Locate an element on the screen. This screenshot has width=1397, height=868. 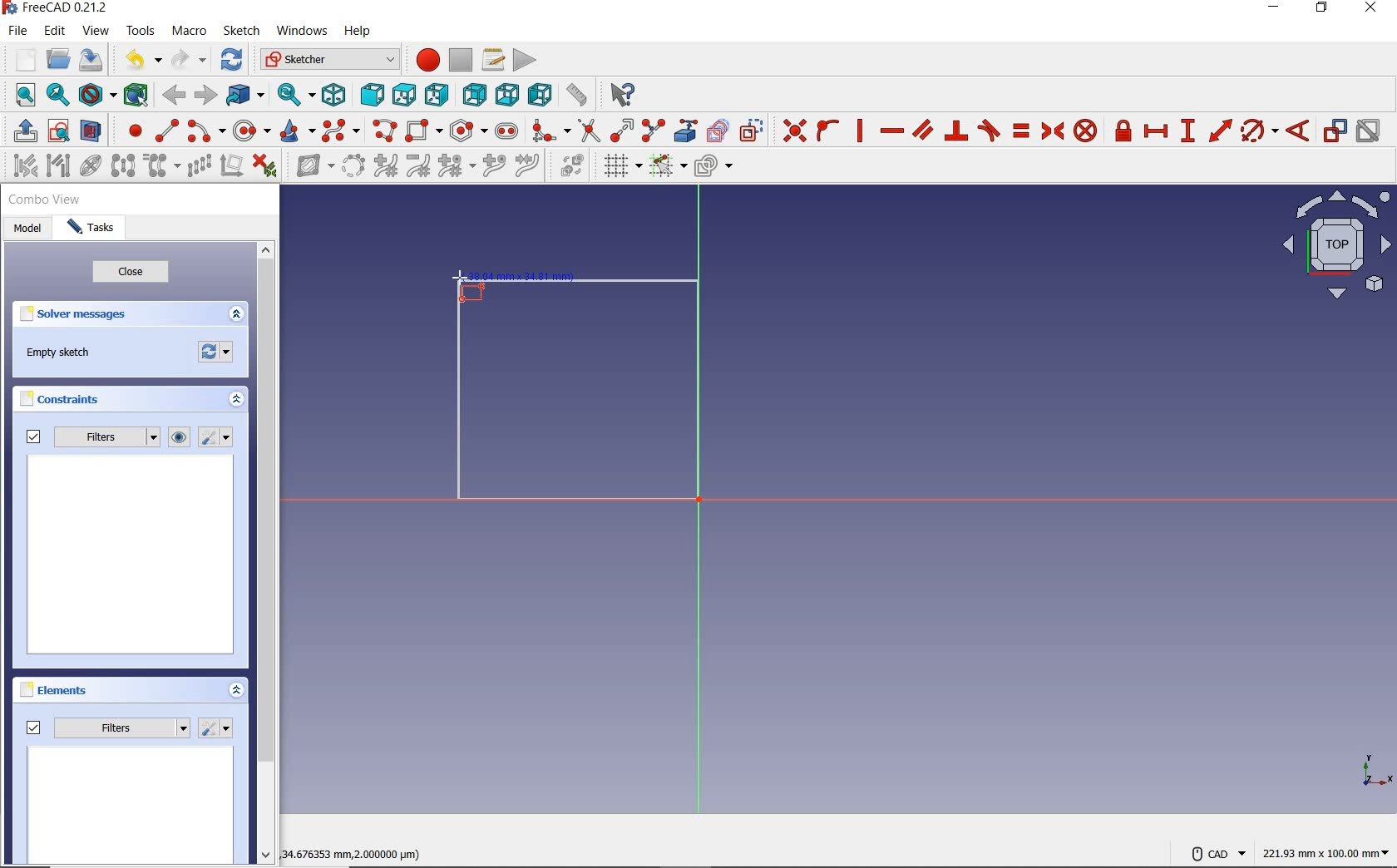
edit is located at coordinates (57, 31).